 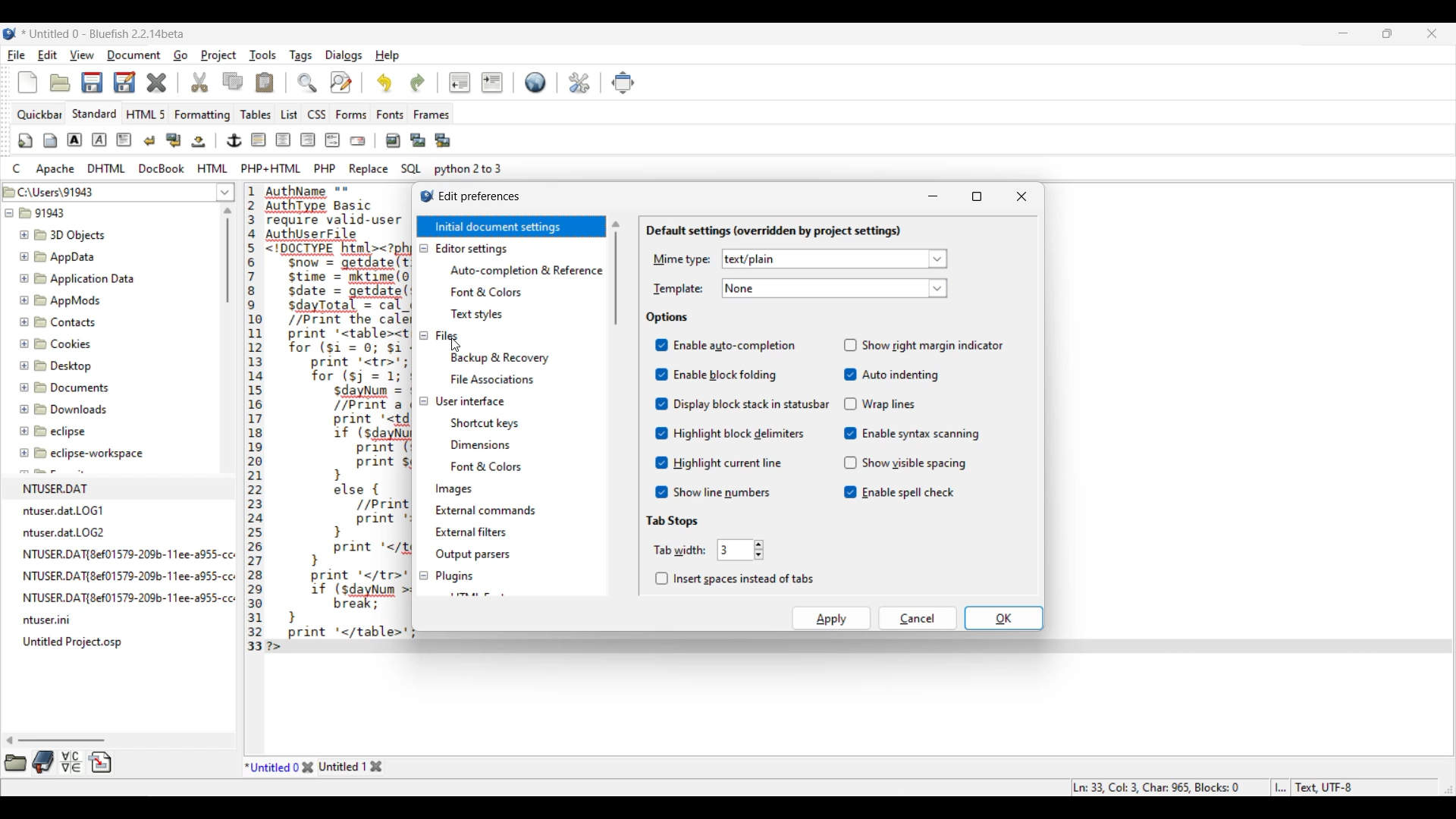 What do you see at coordinates (1387, 33) in the screenshot?
I see `Show in smaller tab` at bounding box center [1387, 33].